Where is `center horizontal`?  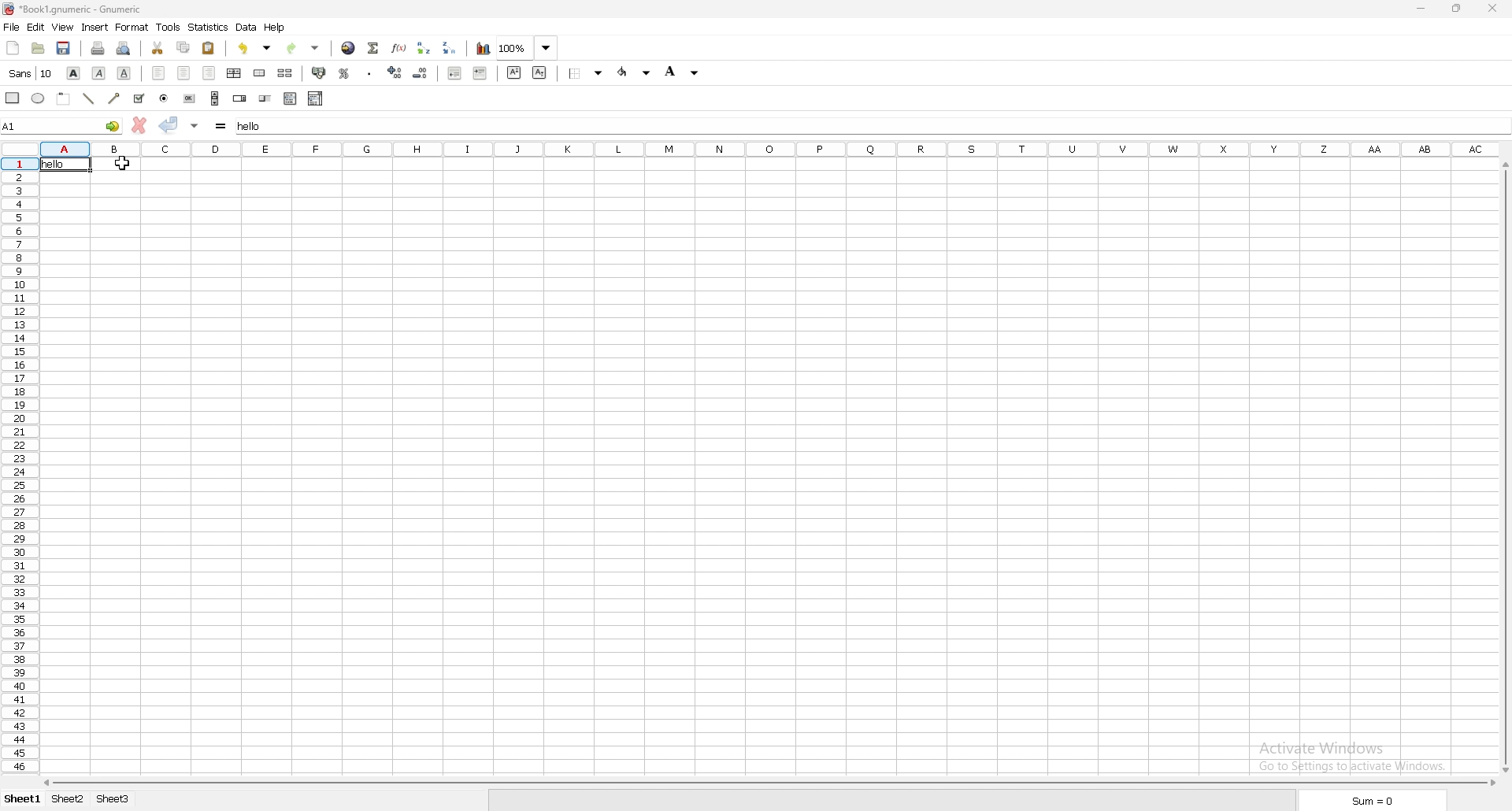 center horizontal is located at coordinates (235, 74).